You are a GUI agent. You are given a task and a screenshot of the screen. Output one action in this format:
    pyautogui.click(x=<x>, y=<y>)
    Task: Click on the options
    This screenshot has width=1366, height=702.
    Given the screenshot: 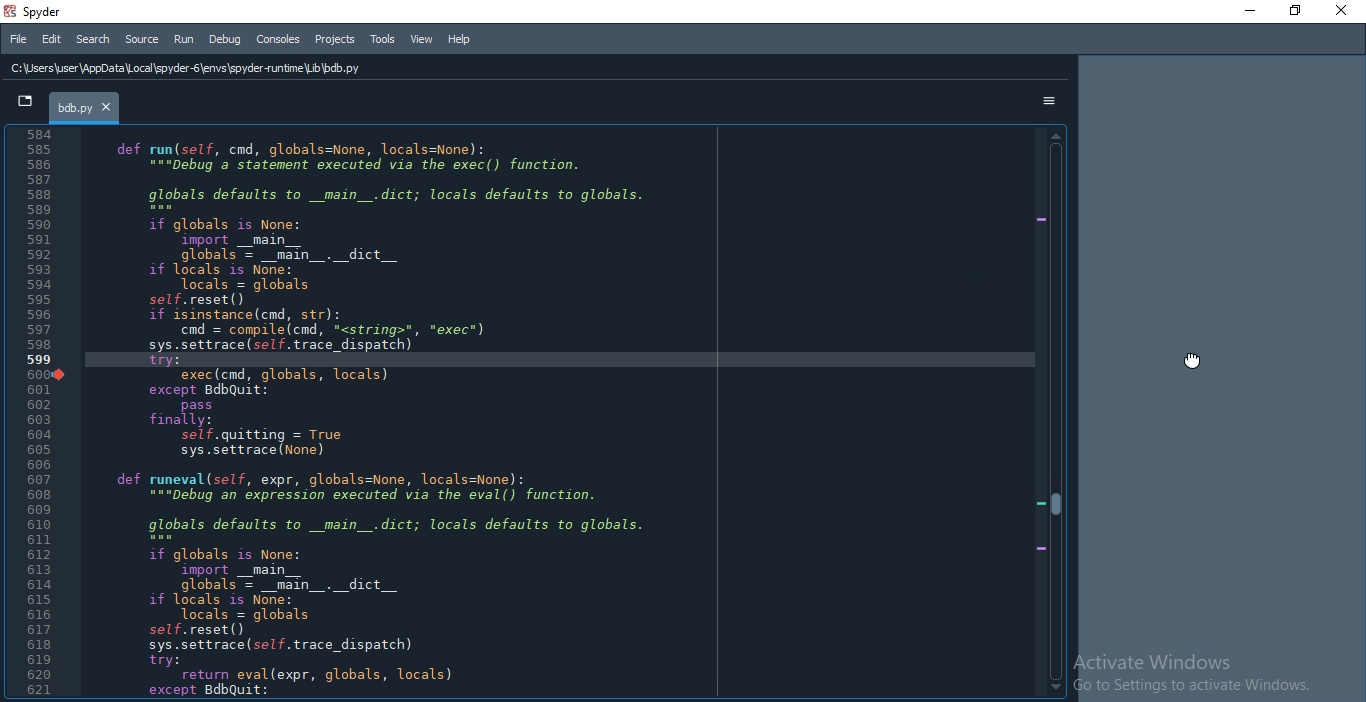 What is the action you would take?
    pyautogui.click(x=1050, y=102)
    